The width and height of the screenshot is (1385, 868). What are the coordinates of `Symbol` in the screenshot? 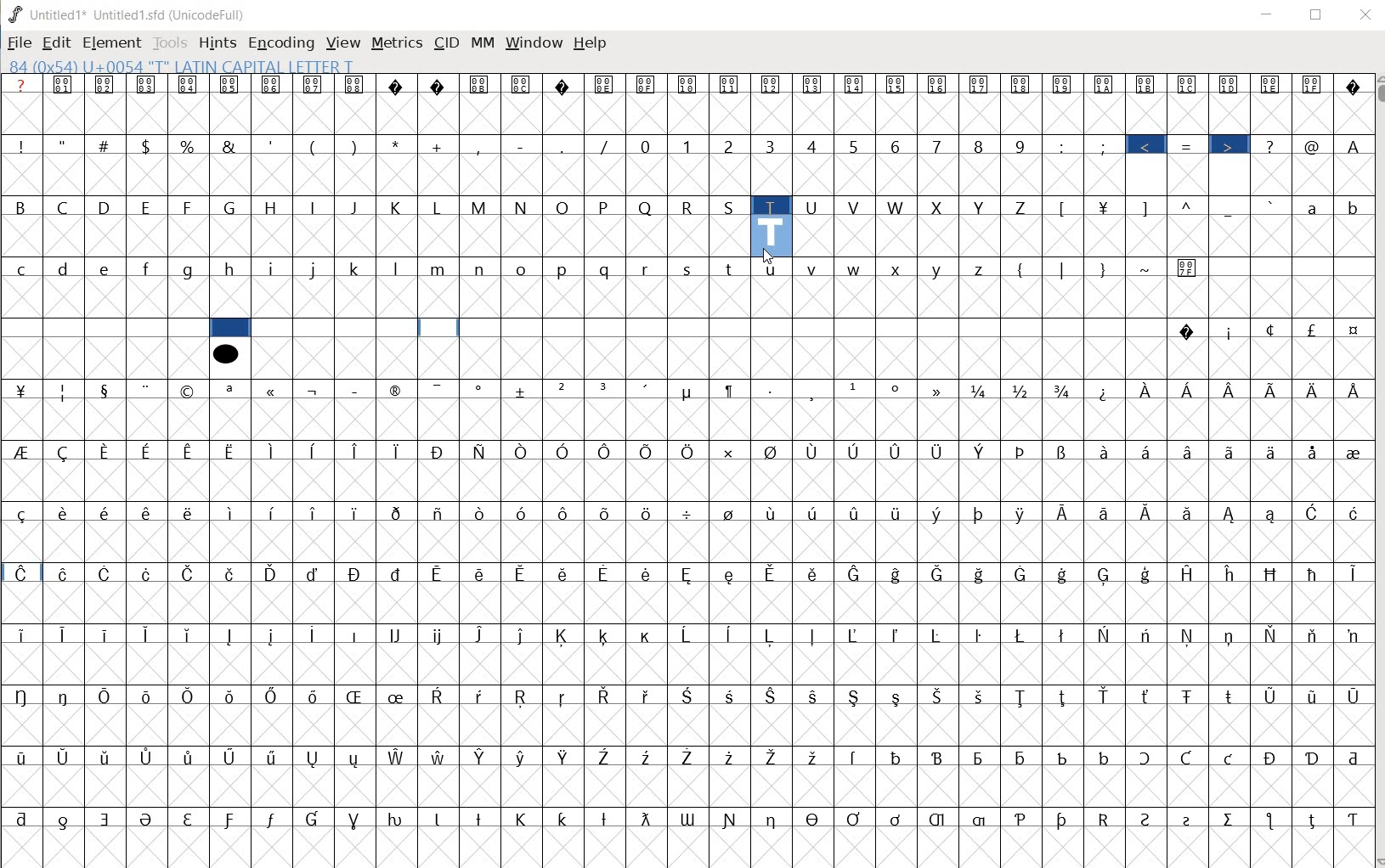 It's located at (731, 86).